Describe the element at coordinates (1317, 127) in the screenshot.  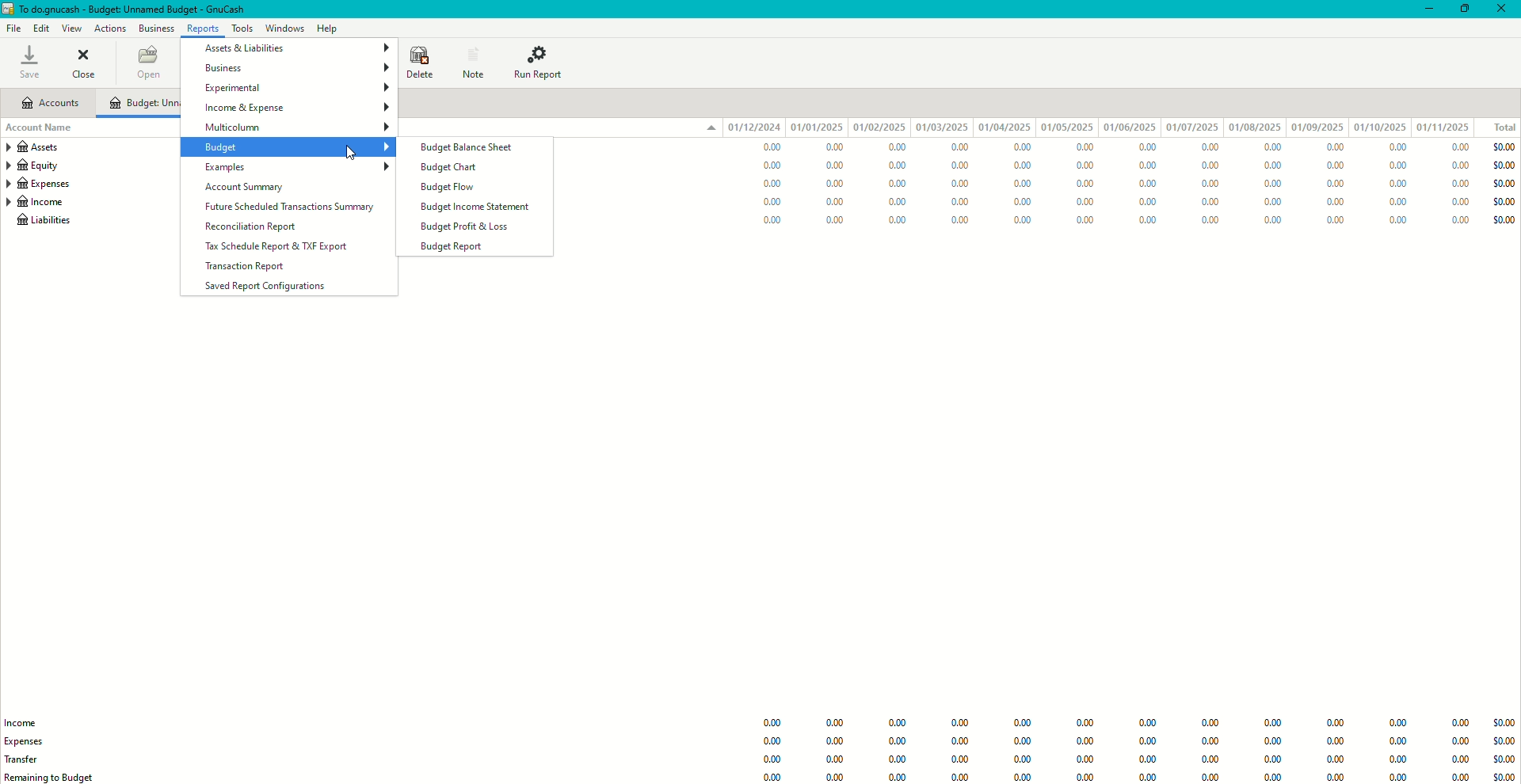
I see `01/09/2025` at that location.